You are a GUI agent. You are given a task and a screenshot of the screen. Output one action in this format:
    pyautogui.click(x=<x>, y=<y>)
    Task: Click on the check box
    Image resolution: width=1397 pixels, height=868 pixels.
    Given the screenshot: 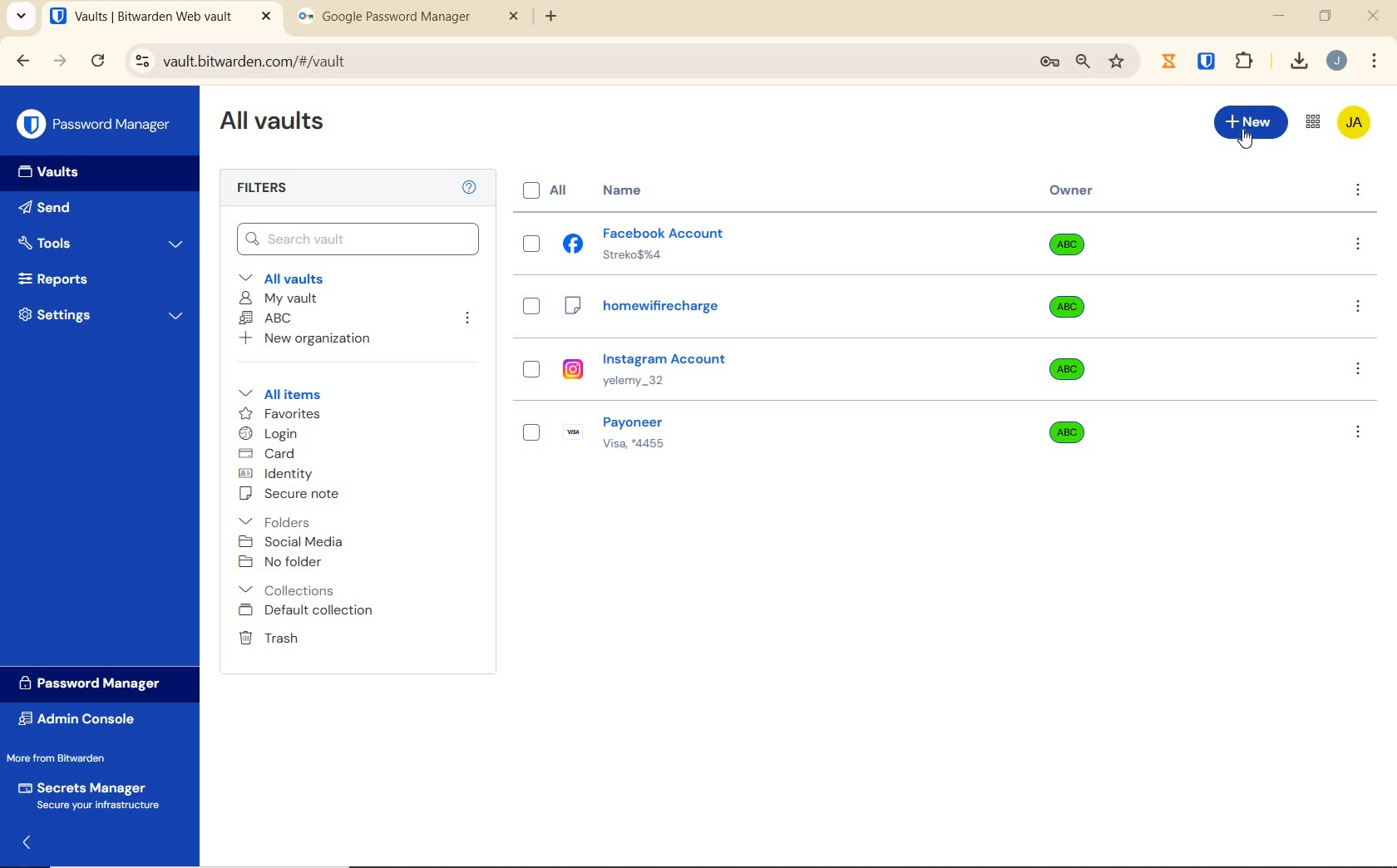 What is the action you would take?
    pyautogui.click(x=531, y=426)
    